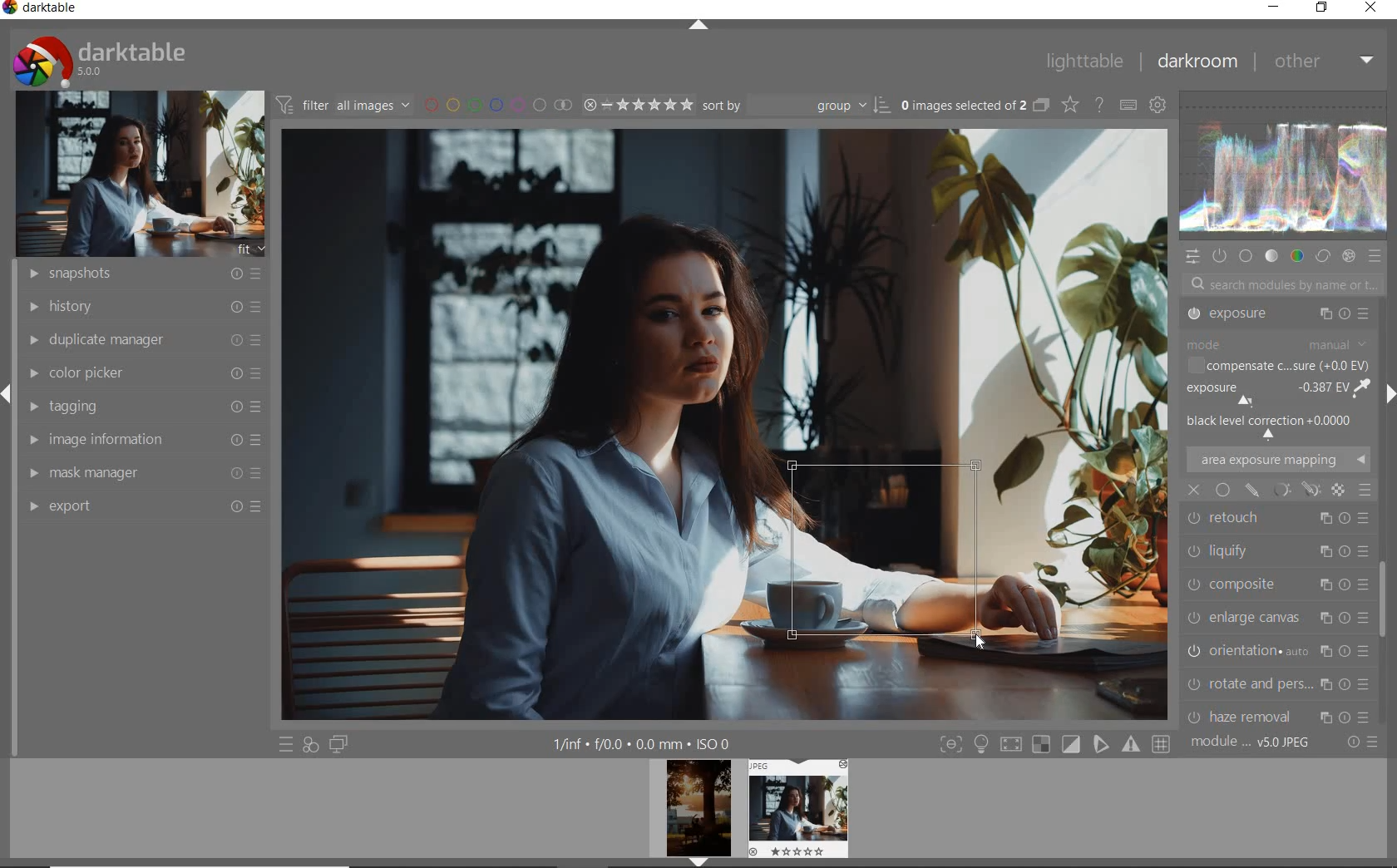 The height and width of the screenshot is (868, 1397). Describe the element at coordinates (146, 370) in the screenshot. I see `COLOR PICKER` at that location.